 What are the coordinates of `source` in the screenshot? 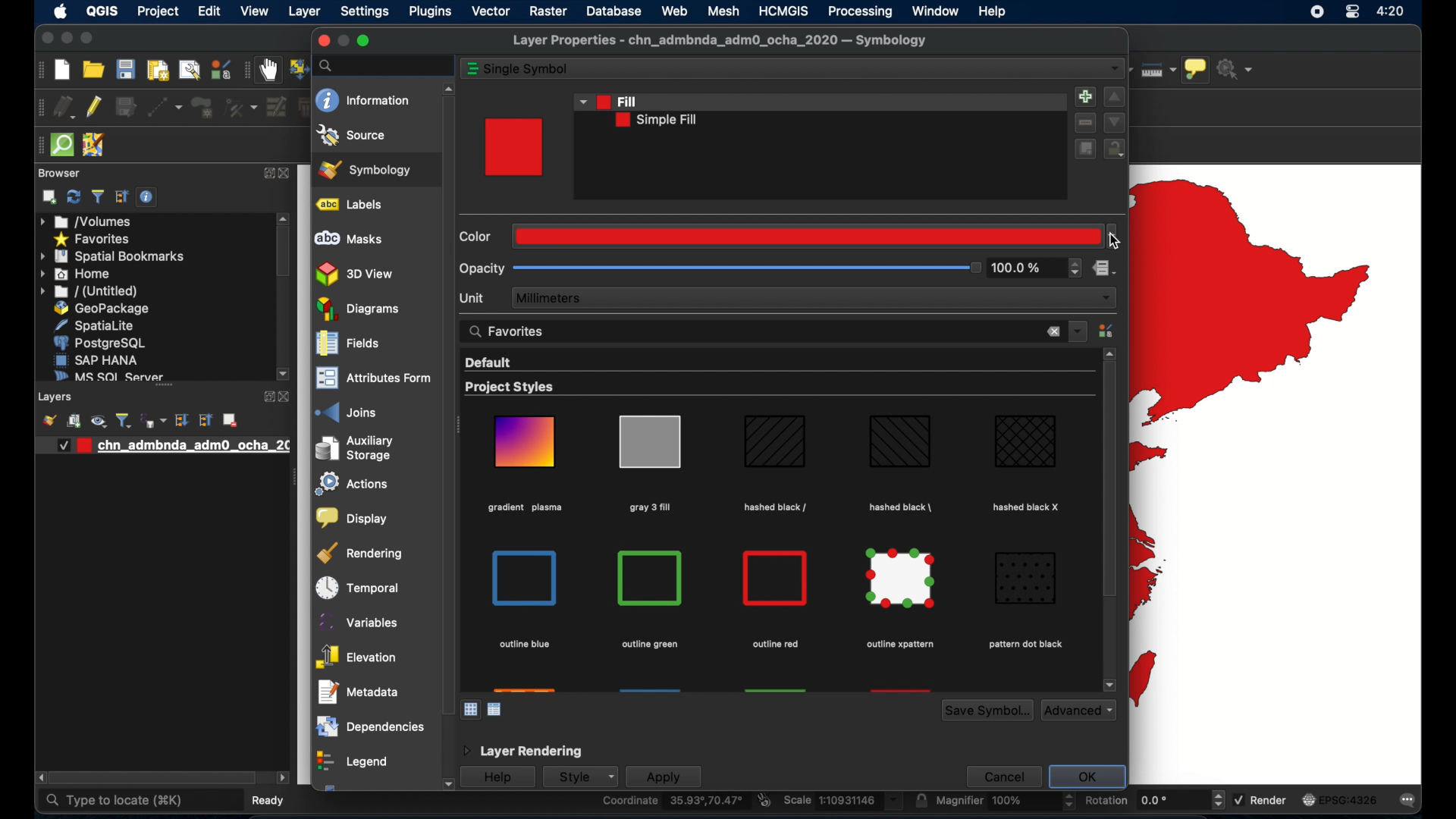 It's located at (352, 135).